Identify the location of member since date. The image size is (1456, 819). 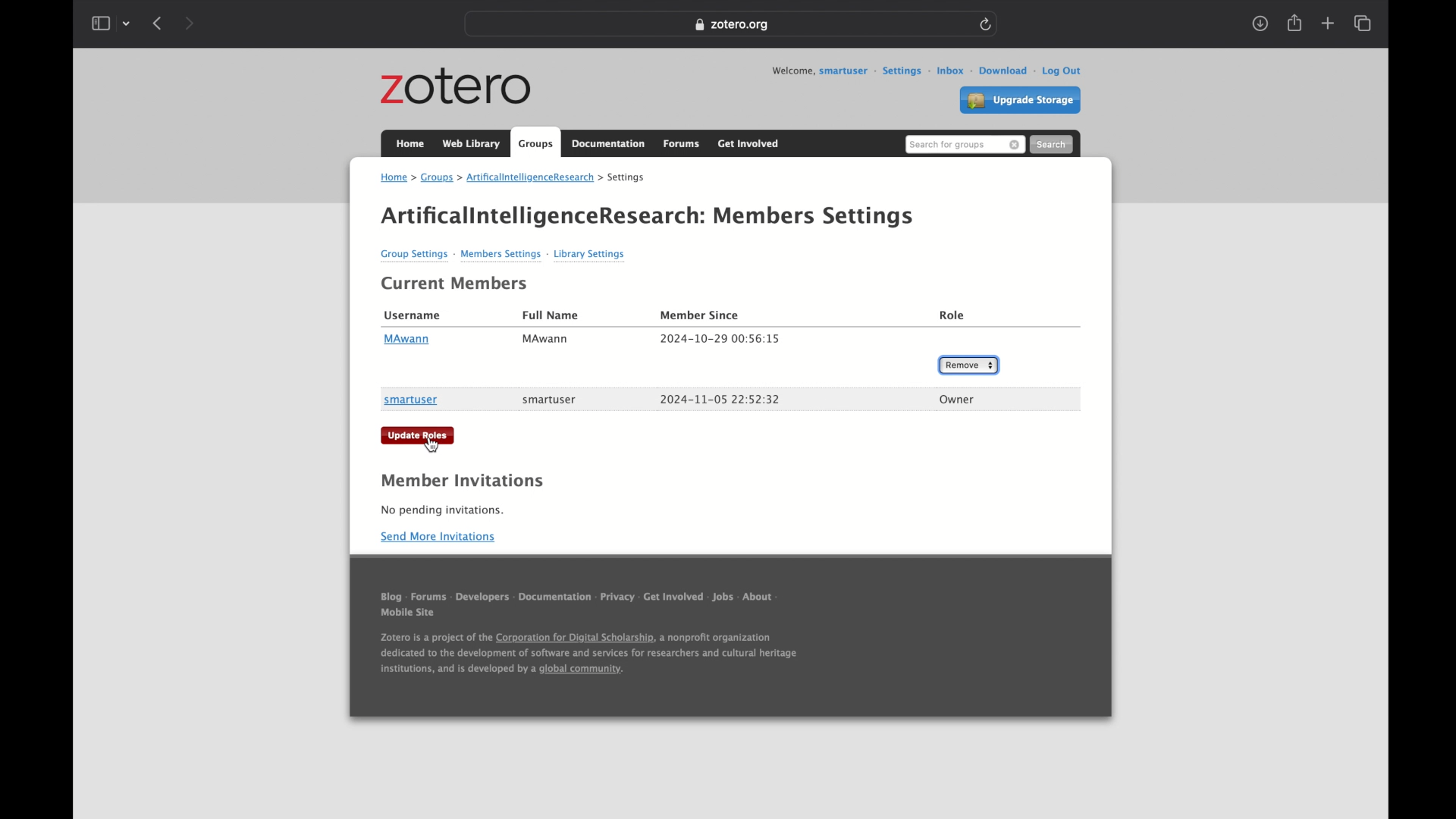
(720, 339).